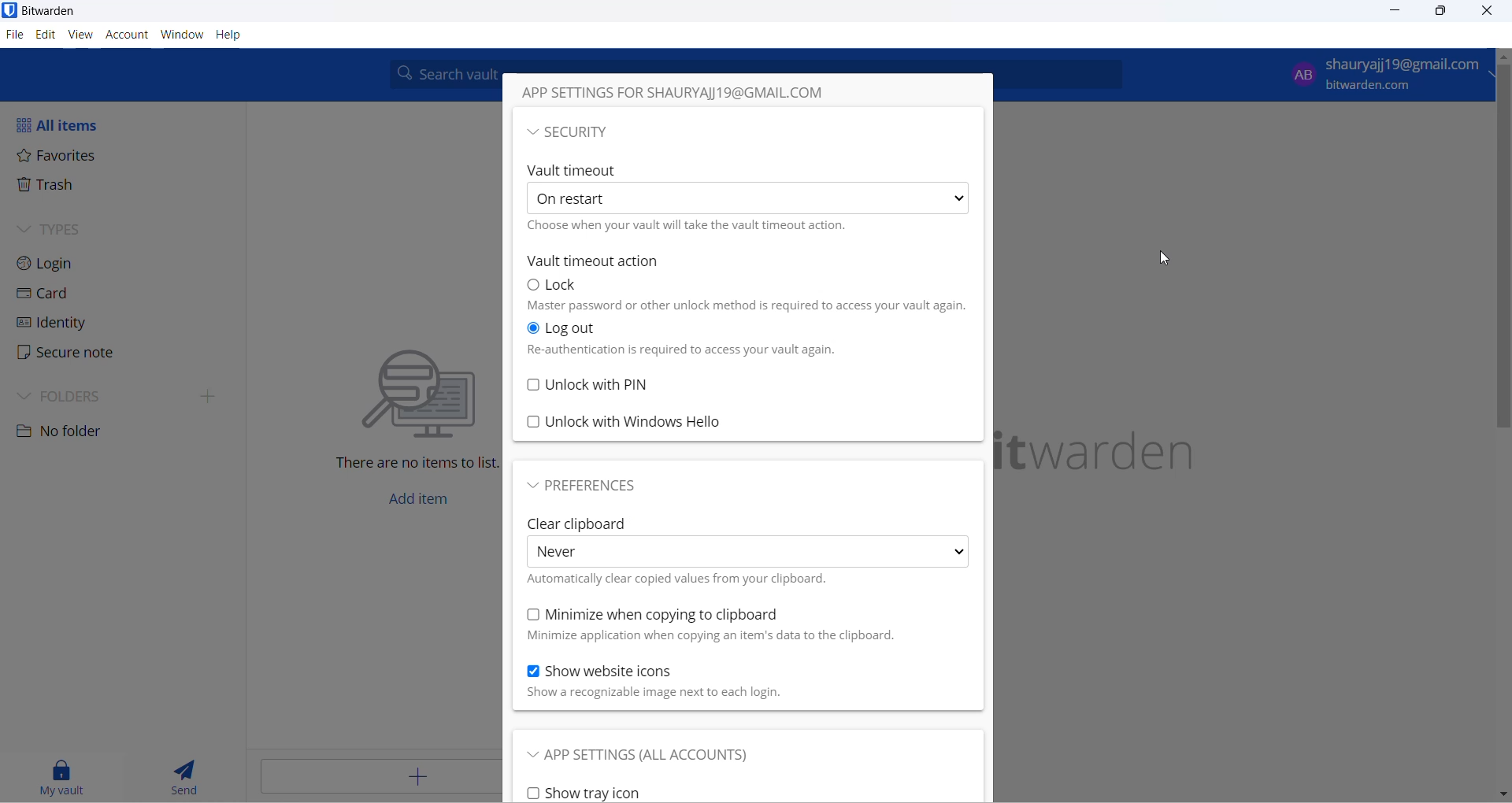 The image size is (1512, 803). What do you see at coordinates (958, 201) in the screenshot?
I see `more options` at bounding box center [958, 201].